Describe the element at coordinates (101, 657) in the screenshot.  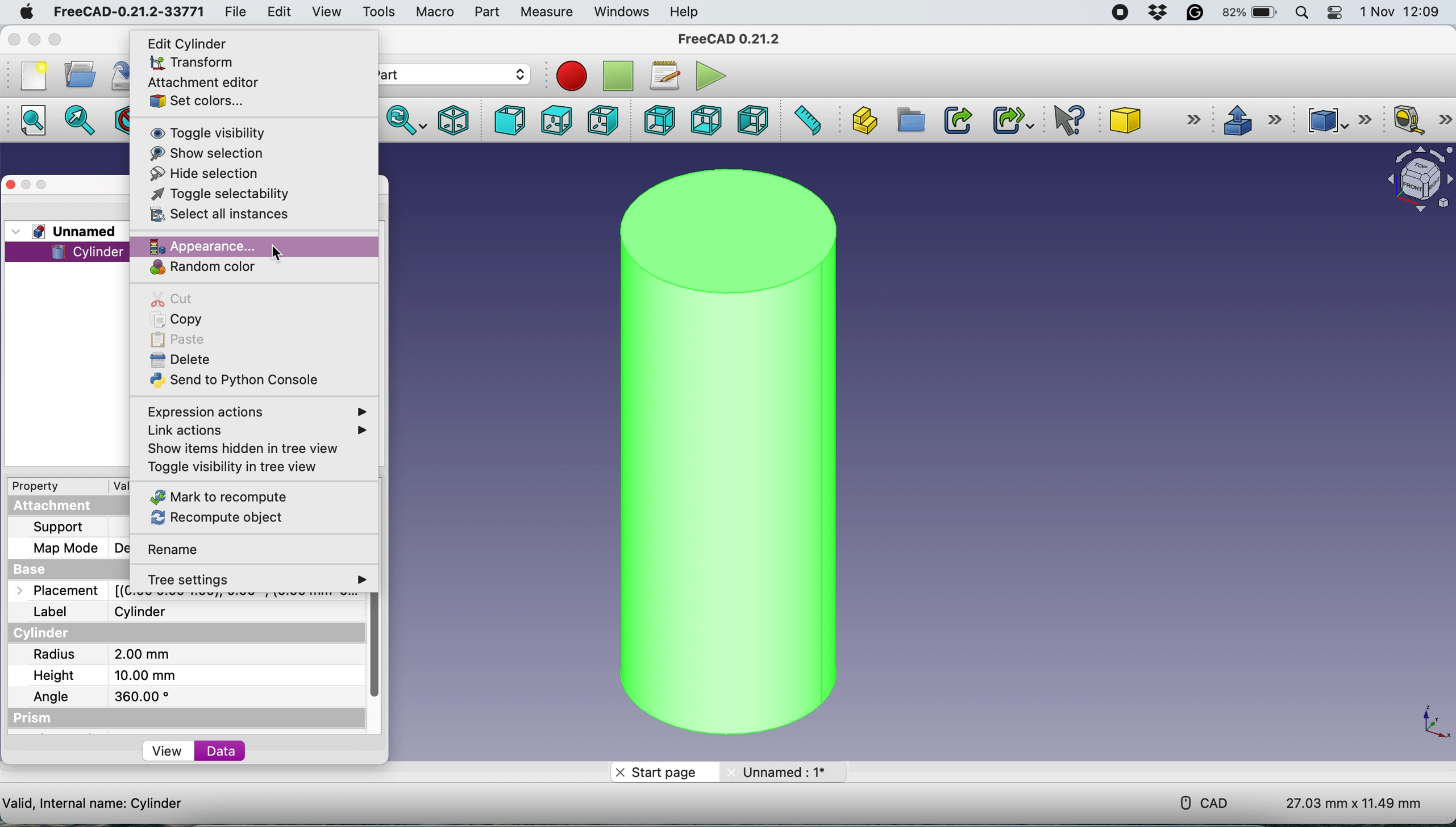
I see `radius` at that location.